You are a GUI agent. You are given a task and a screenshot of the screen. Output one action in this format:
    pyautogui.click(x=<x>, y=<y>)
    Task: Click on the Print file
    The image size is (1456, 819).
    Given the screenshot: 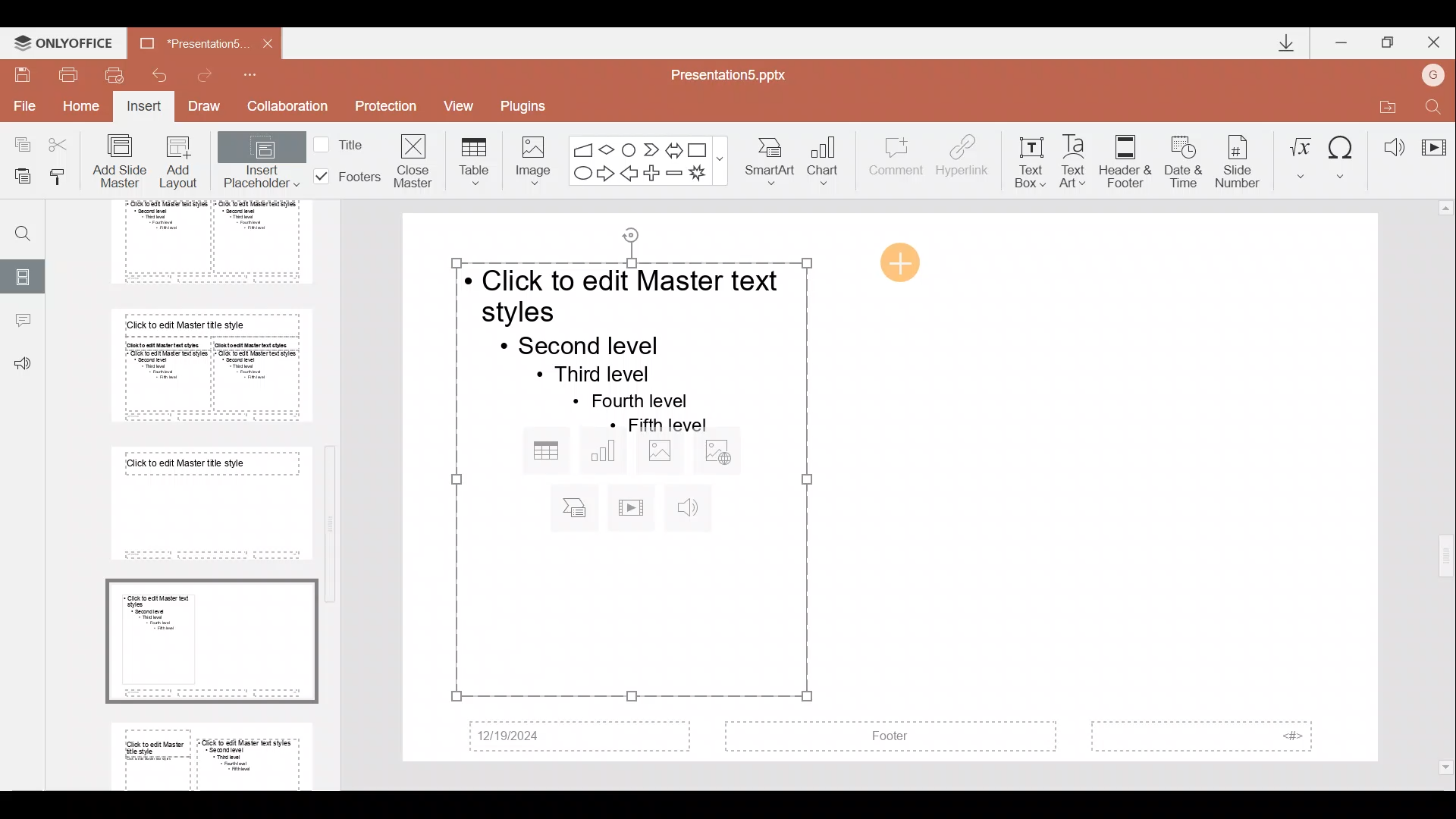 What is the action you would take?
    pyautogui.click(x=69, y=74)
    